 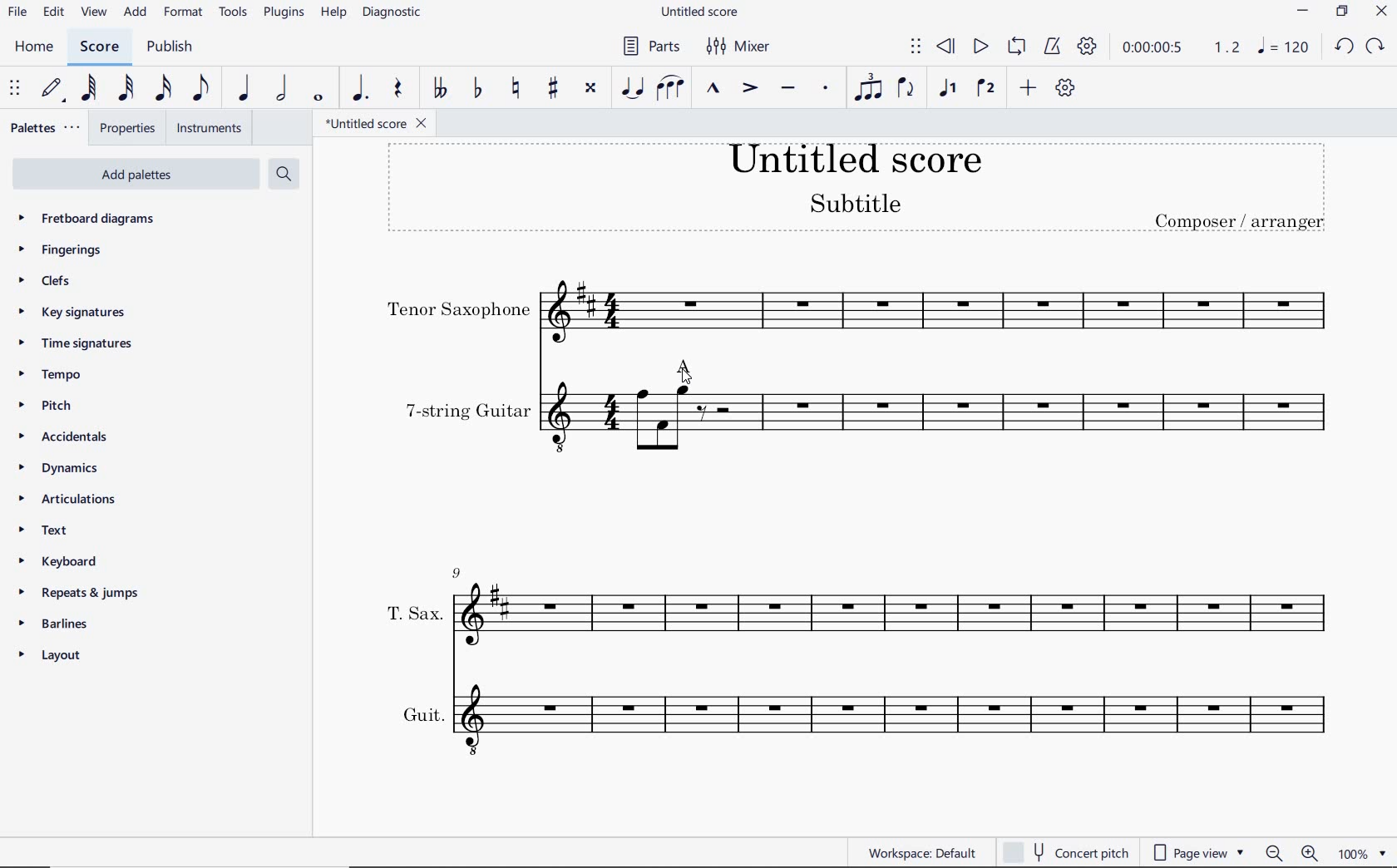 What do you see at coordinates (1015, 46) in the screenshot?
I see `LOOP PLAYBACK` at bounding box center [1015, 46].